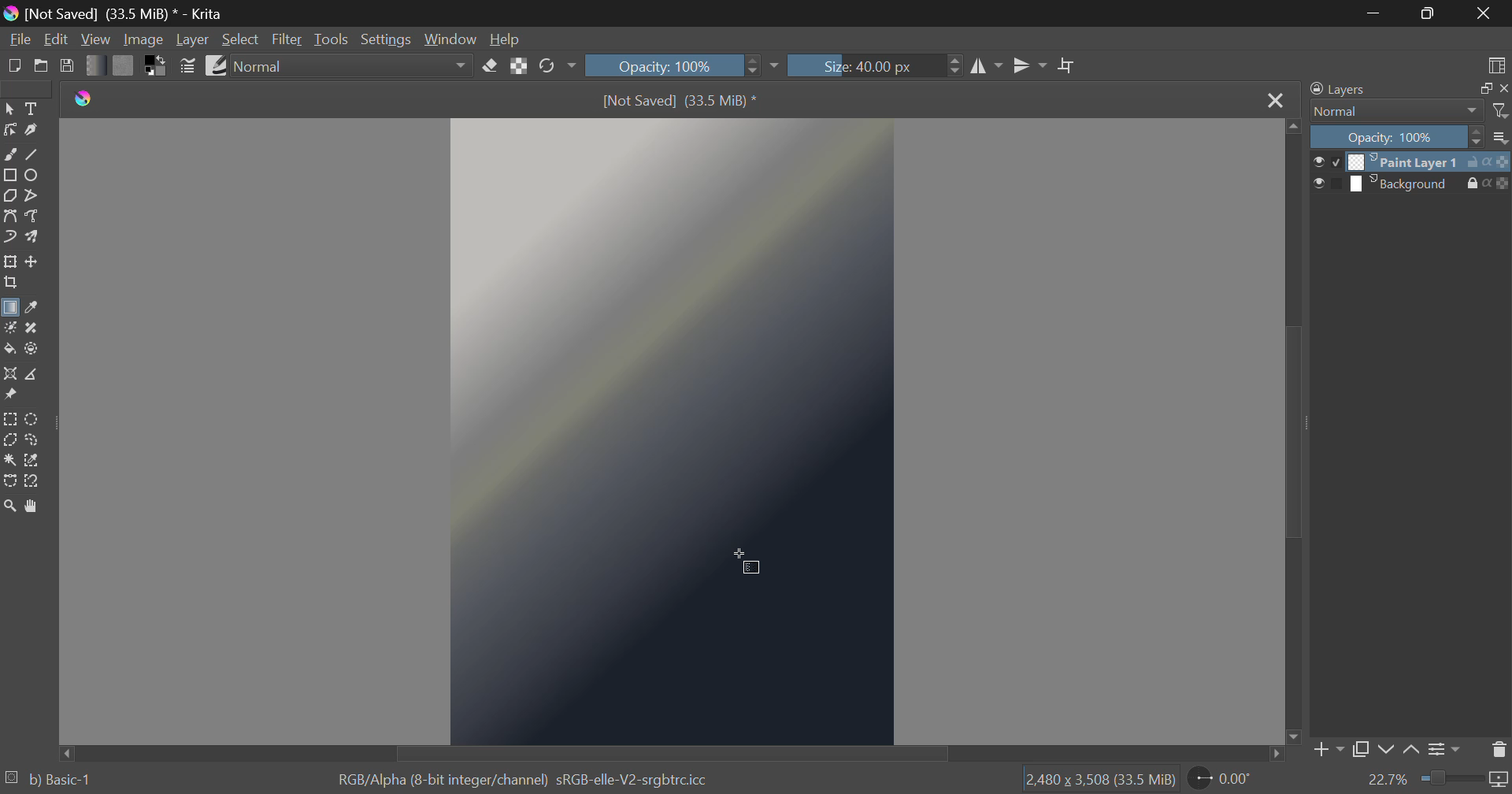  Describe the element at coordinates (1324, 186) in the screenshot. I see `preview` at that location.